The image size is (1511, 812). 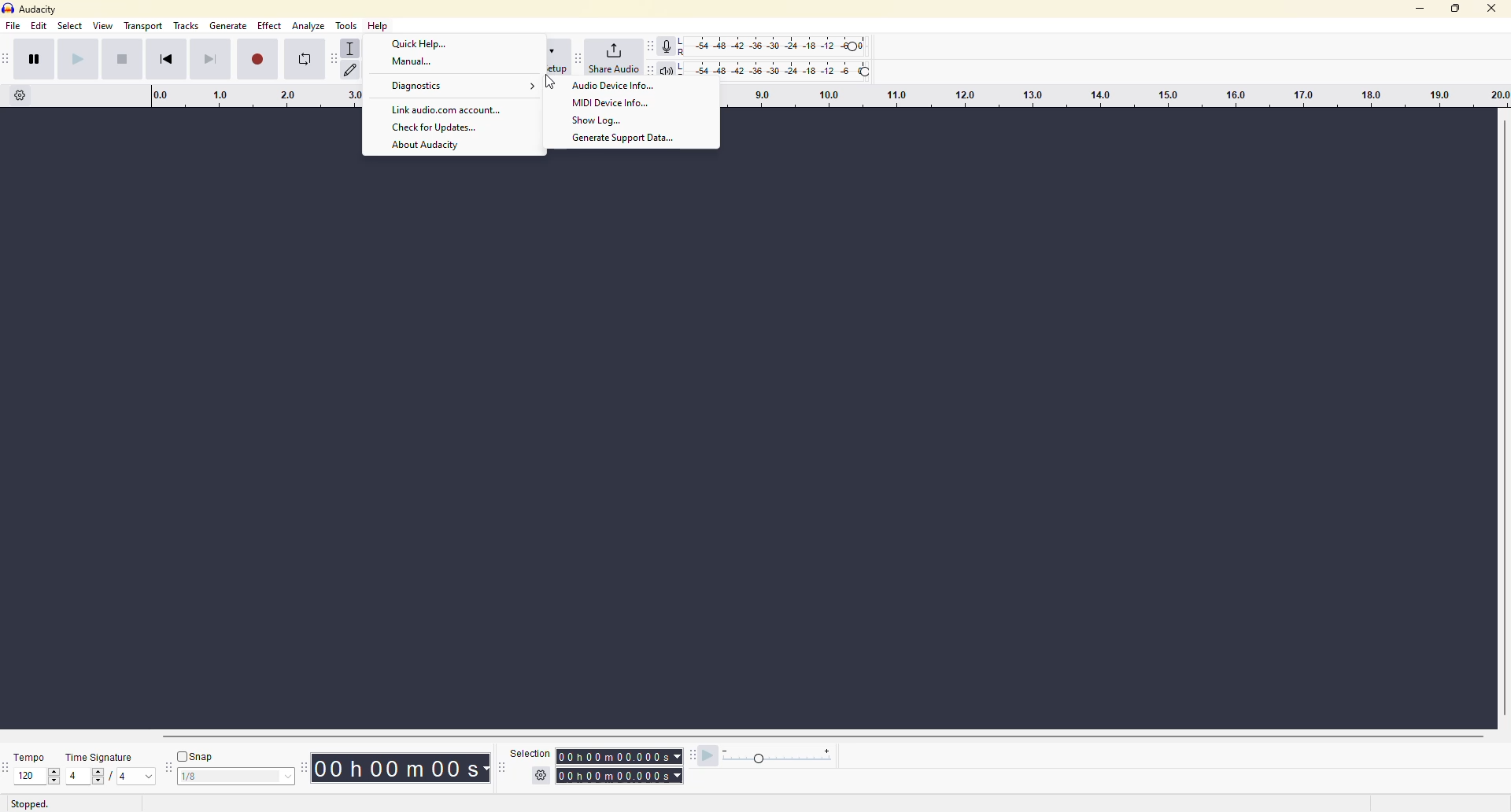 What do you see at coordinates (613, 87) in the screenshot?
I see `Audio Device Info,` at bounding box center [613, 87].